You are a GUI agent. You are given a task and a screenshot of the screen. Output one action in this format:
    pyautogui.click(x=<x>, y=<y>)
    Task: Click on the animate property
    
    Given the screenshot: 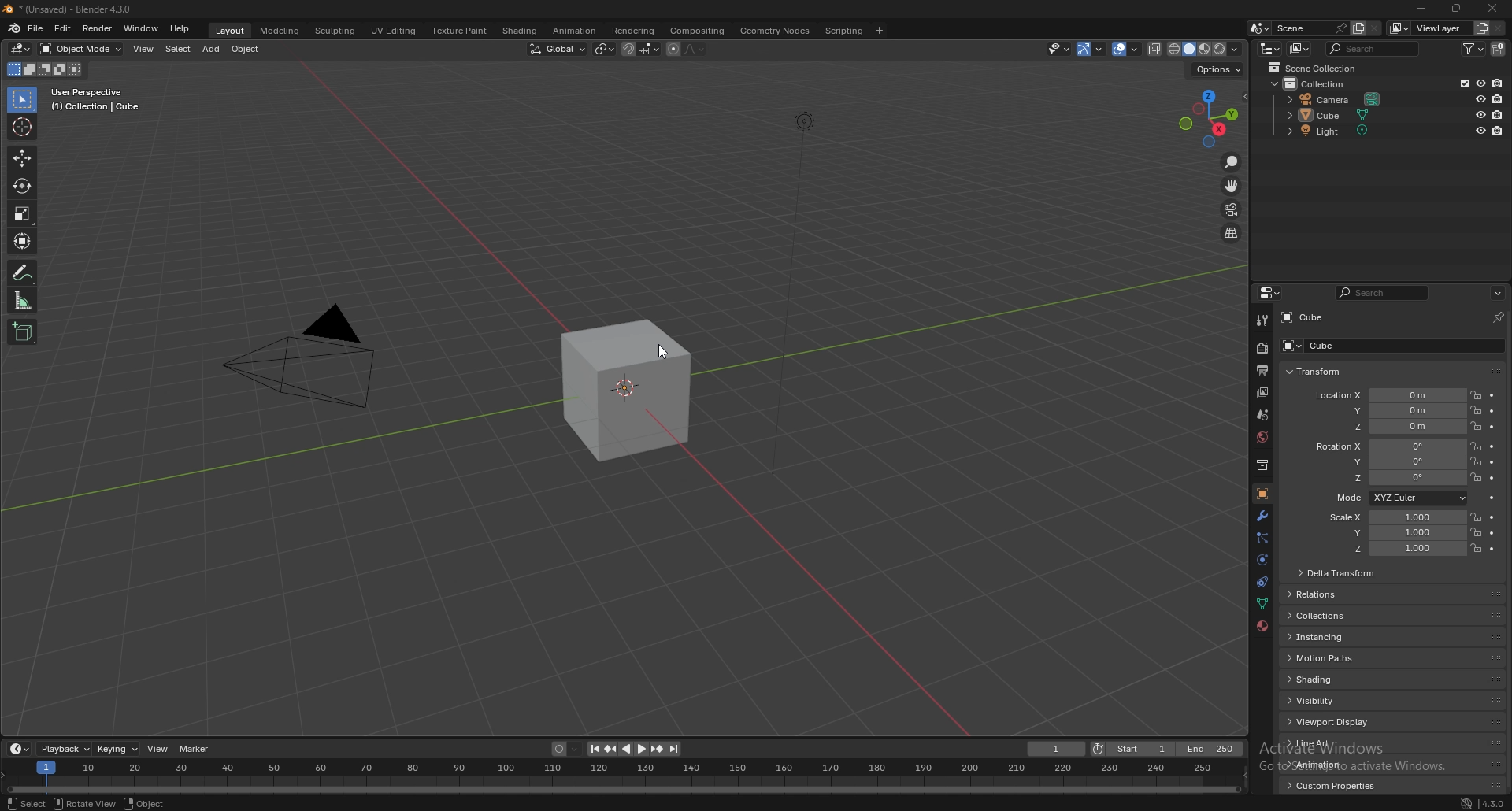 What is the action you would take?
    pyautogui.click(x=1493, y=477)
    